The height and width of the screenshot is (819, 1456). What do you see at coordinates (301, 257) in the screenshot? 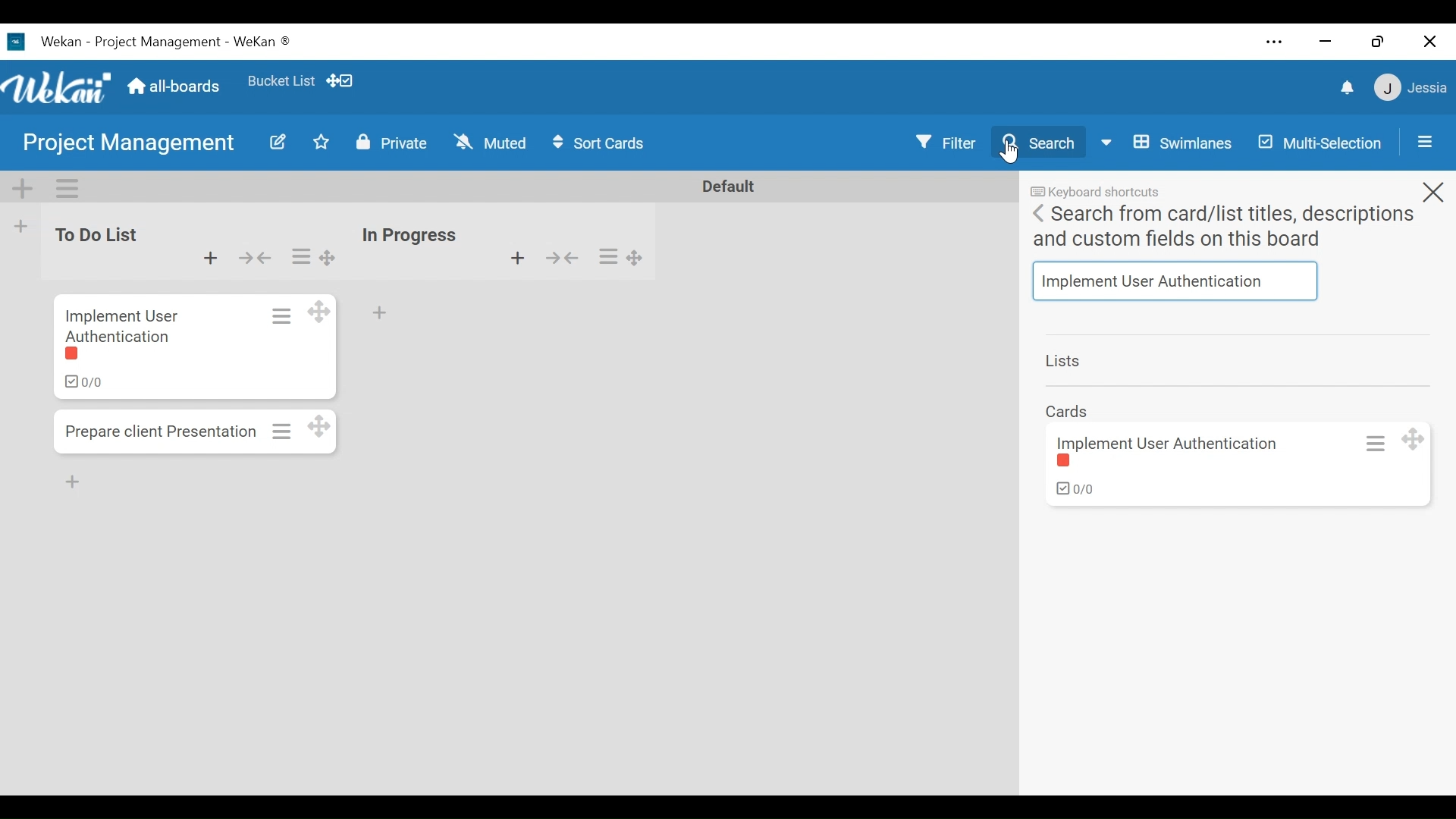
I see `list actions` at bounding box center [301, 257].